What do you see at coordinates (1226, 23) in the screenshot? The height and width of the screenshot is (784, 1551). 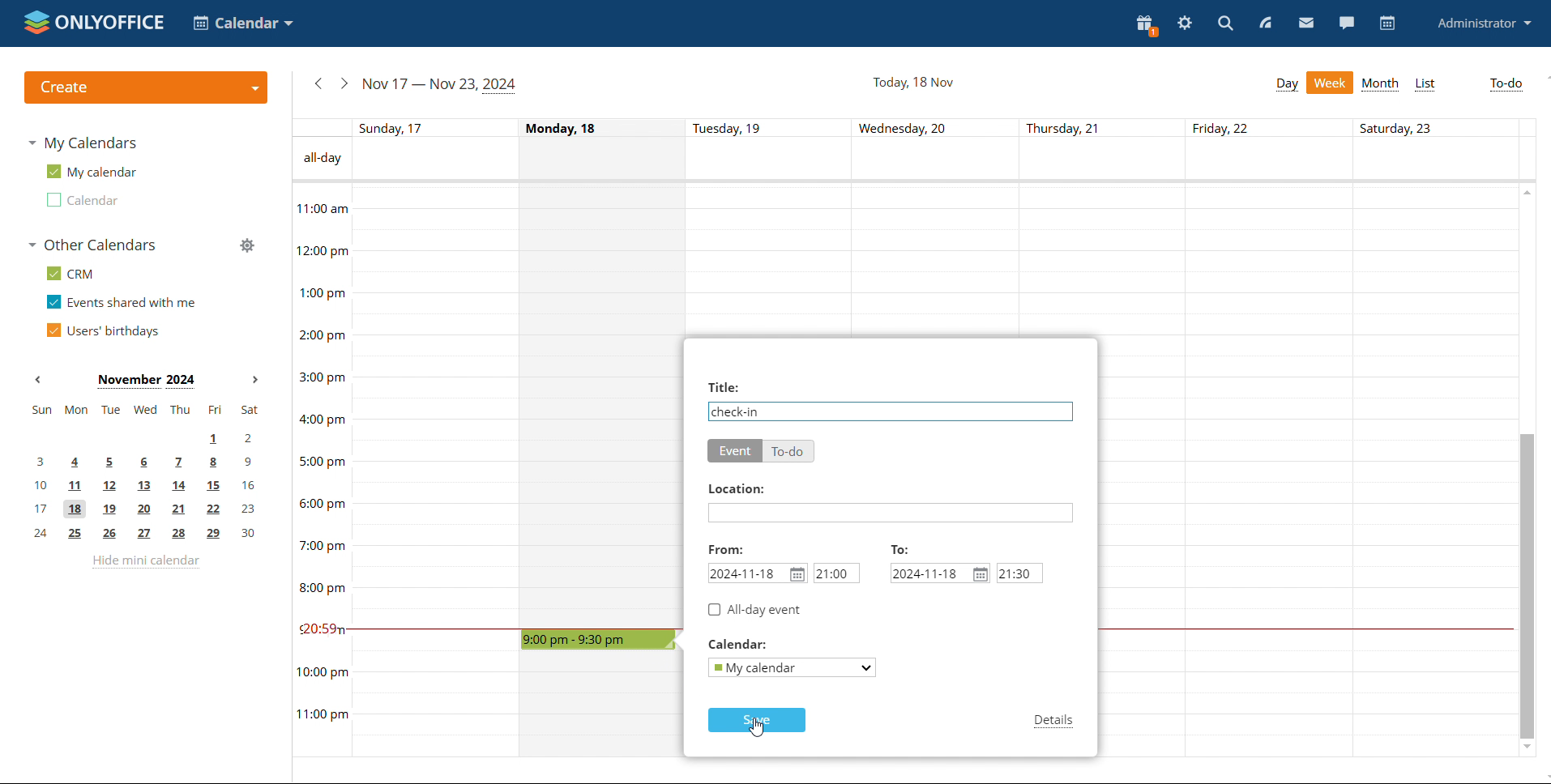 I see `search` at bounding box center [1226, 23].